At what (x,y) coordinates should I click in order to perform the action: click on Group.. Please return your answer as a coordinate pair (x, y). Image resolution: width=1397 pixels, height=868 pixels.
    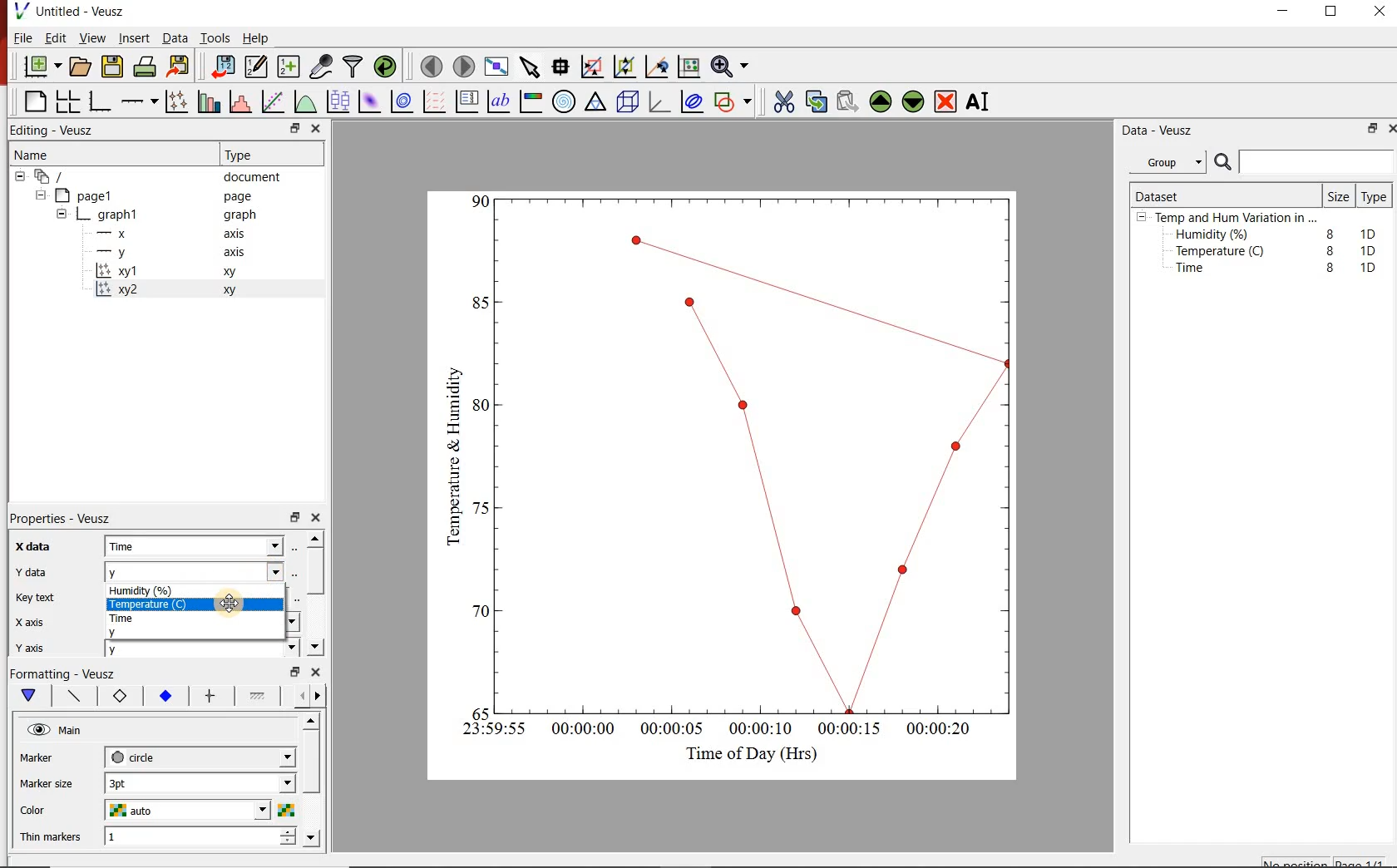
    Looking at the image, I should click on (1171, 159).